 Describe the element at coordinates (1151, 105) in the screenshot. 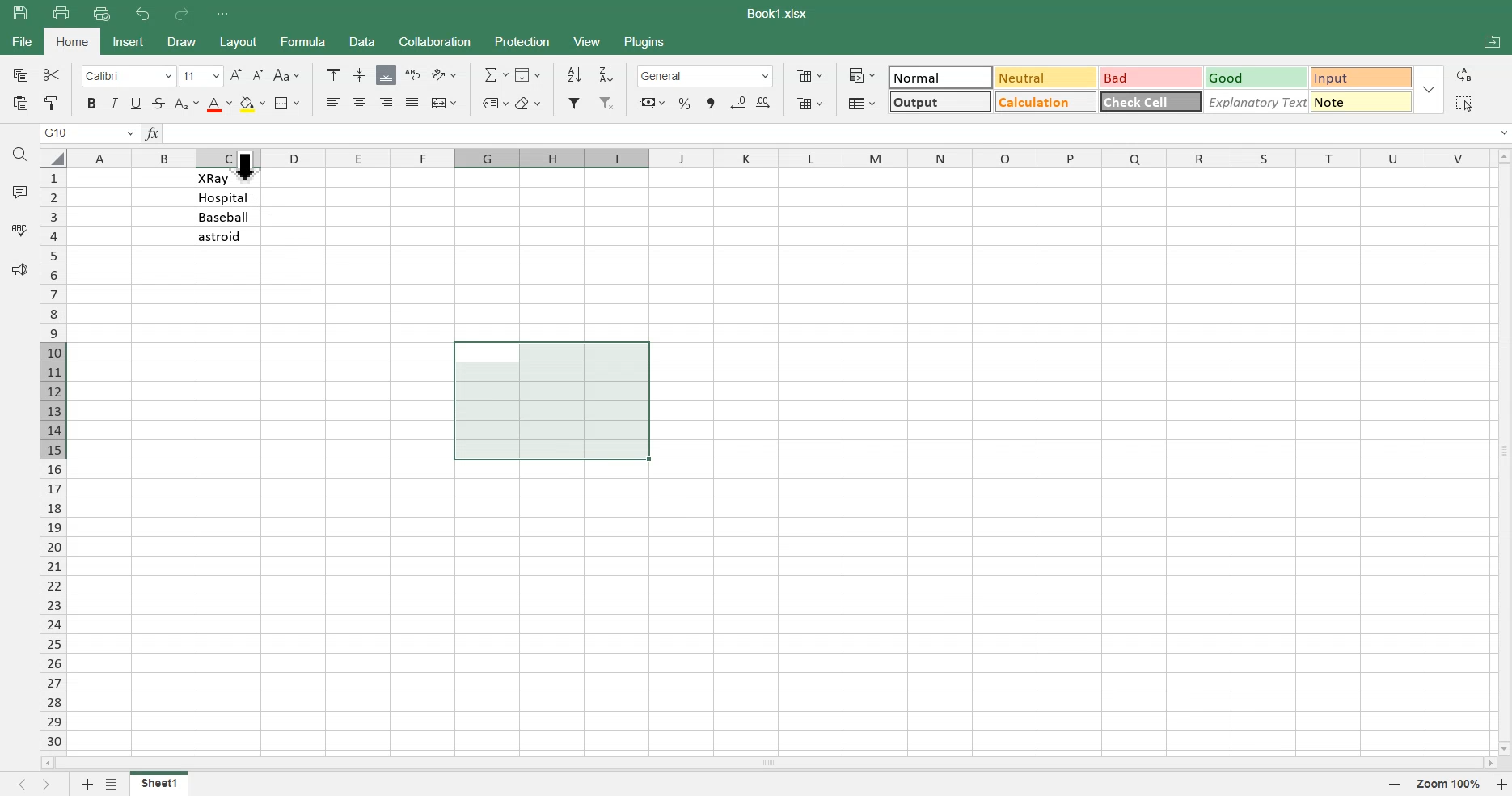

I see `Check cell` at that location.